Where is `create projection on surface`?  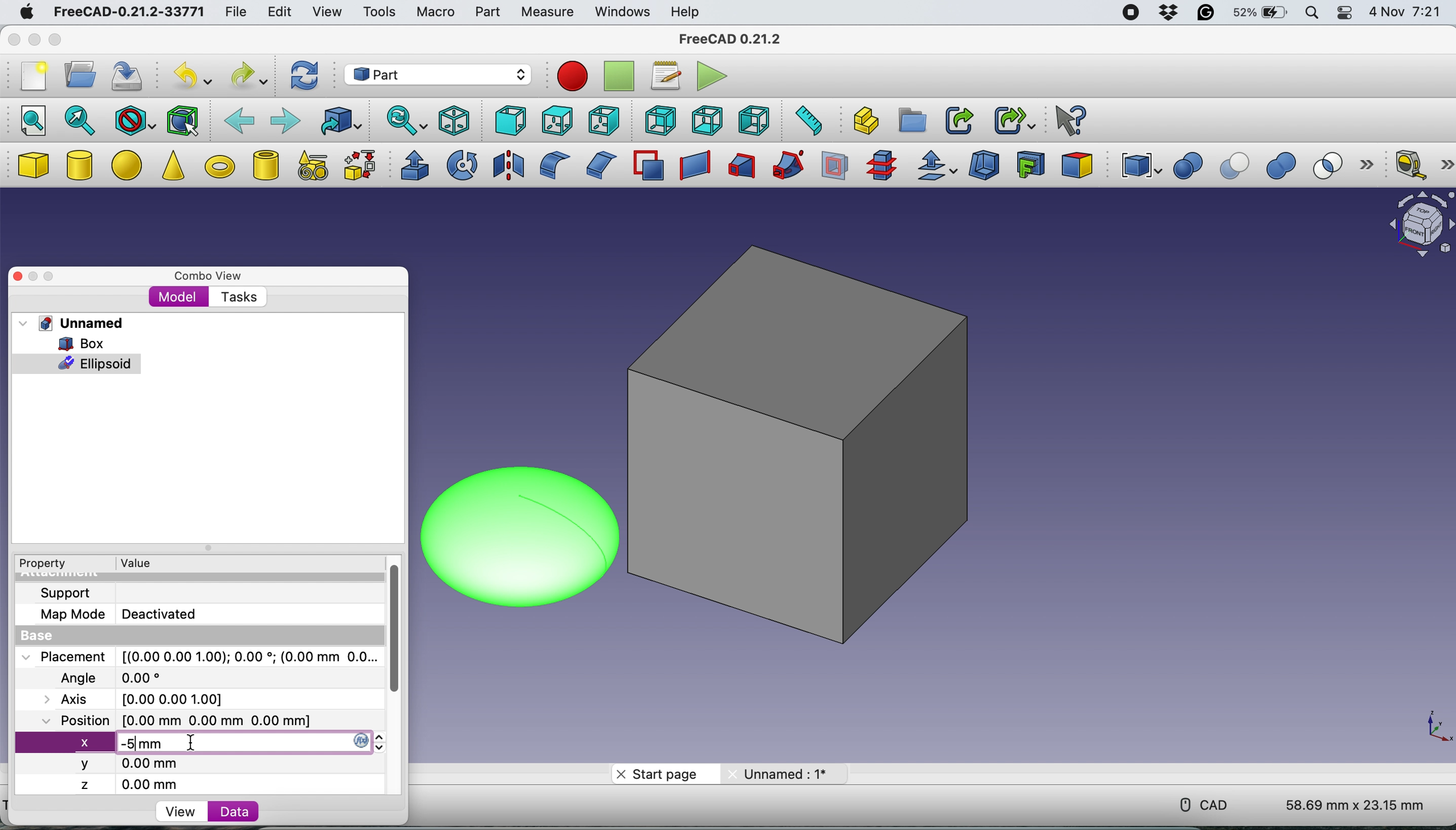 create projection on surface is located at coordinates (1031, 164).